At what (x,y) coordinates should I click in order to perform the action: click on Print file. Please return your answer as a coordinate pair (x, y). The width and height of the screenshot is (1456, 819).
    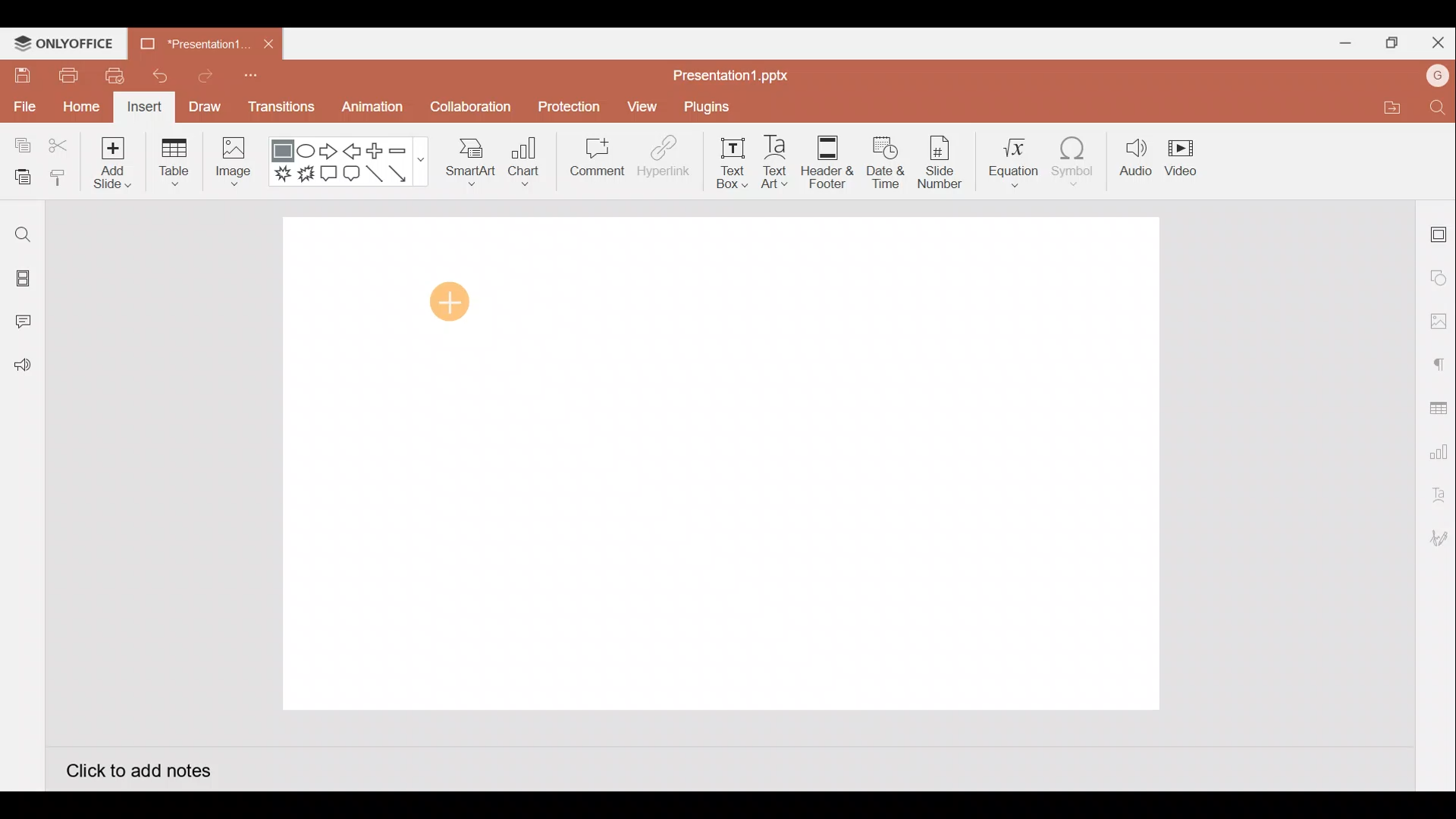
    Looking at the image, I should click on (67, 74).